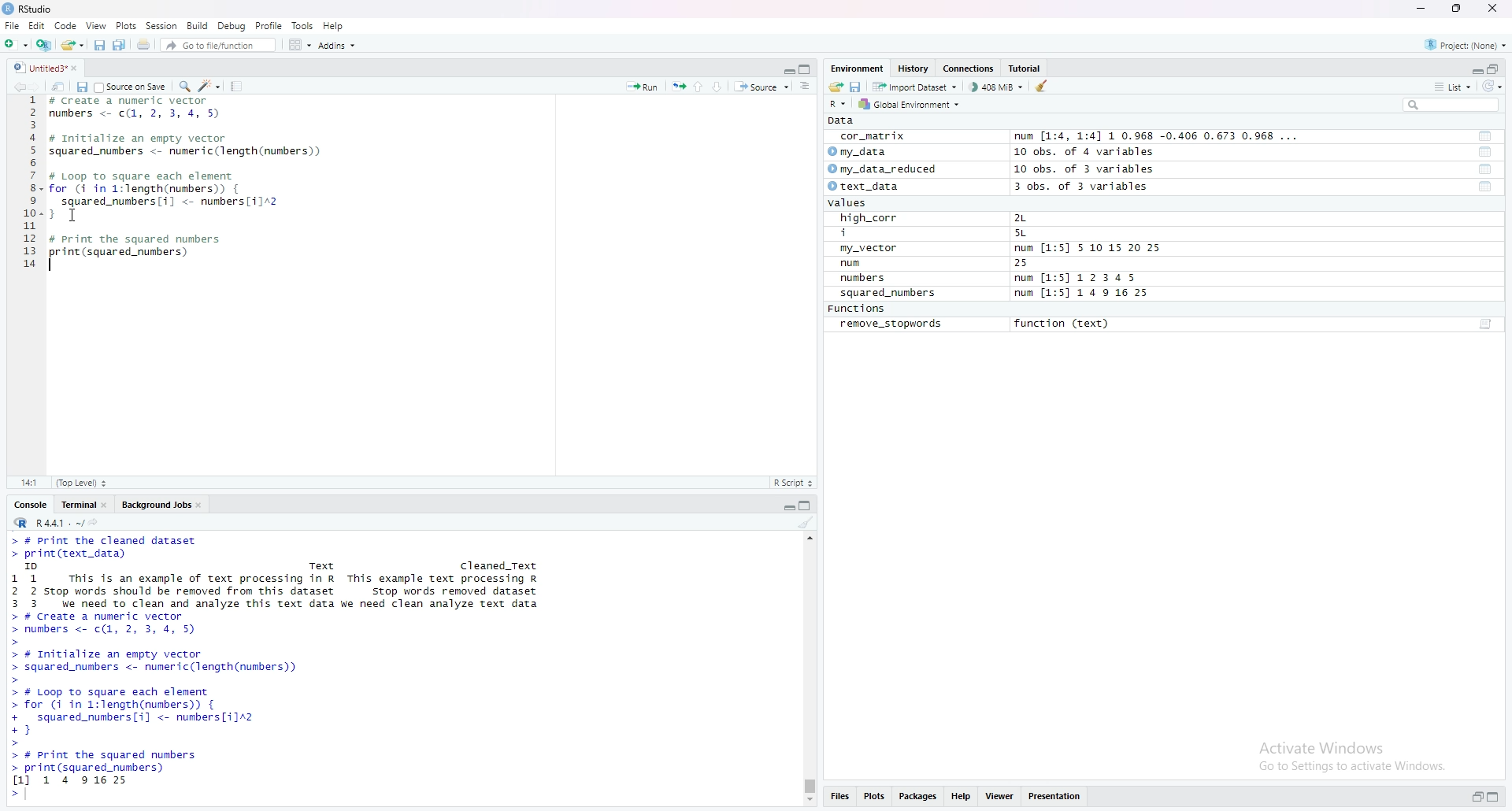 The width and height of the screenshot is (1512, 811). What do you see at coordinates (94, 521) in the screenshot?
I see `view the current working directory` at bounding box center [94, 521].